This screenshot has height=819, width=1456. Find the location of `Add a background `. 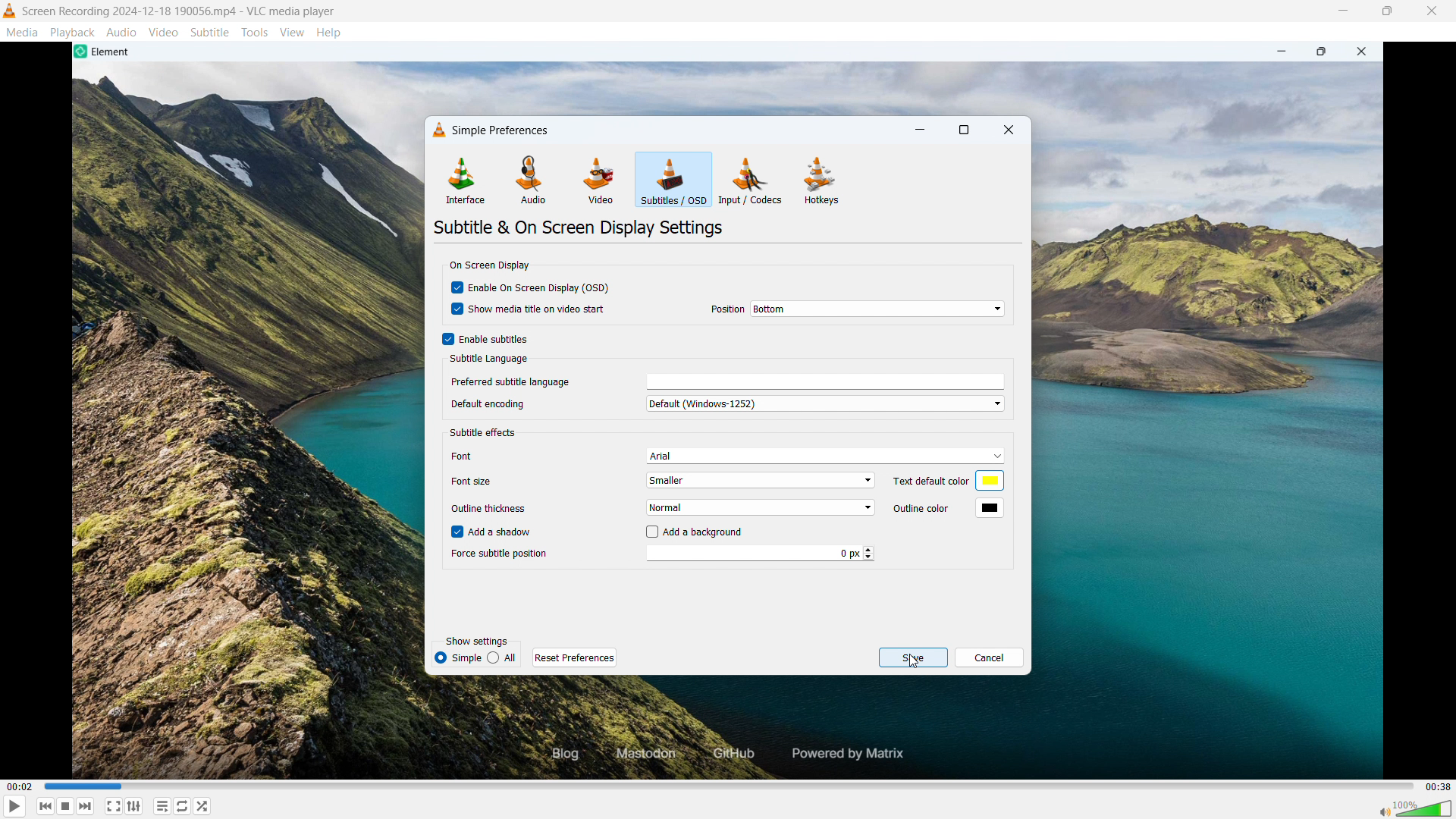

Add a background  is located at coordinates (705, 533).